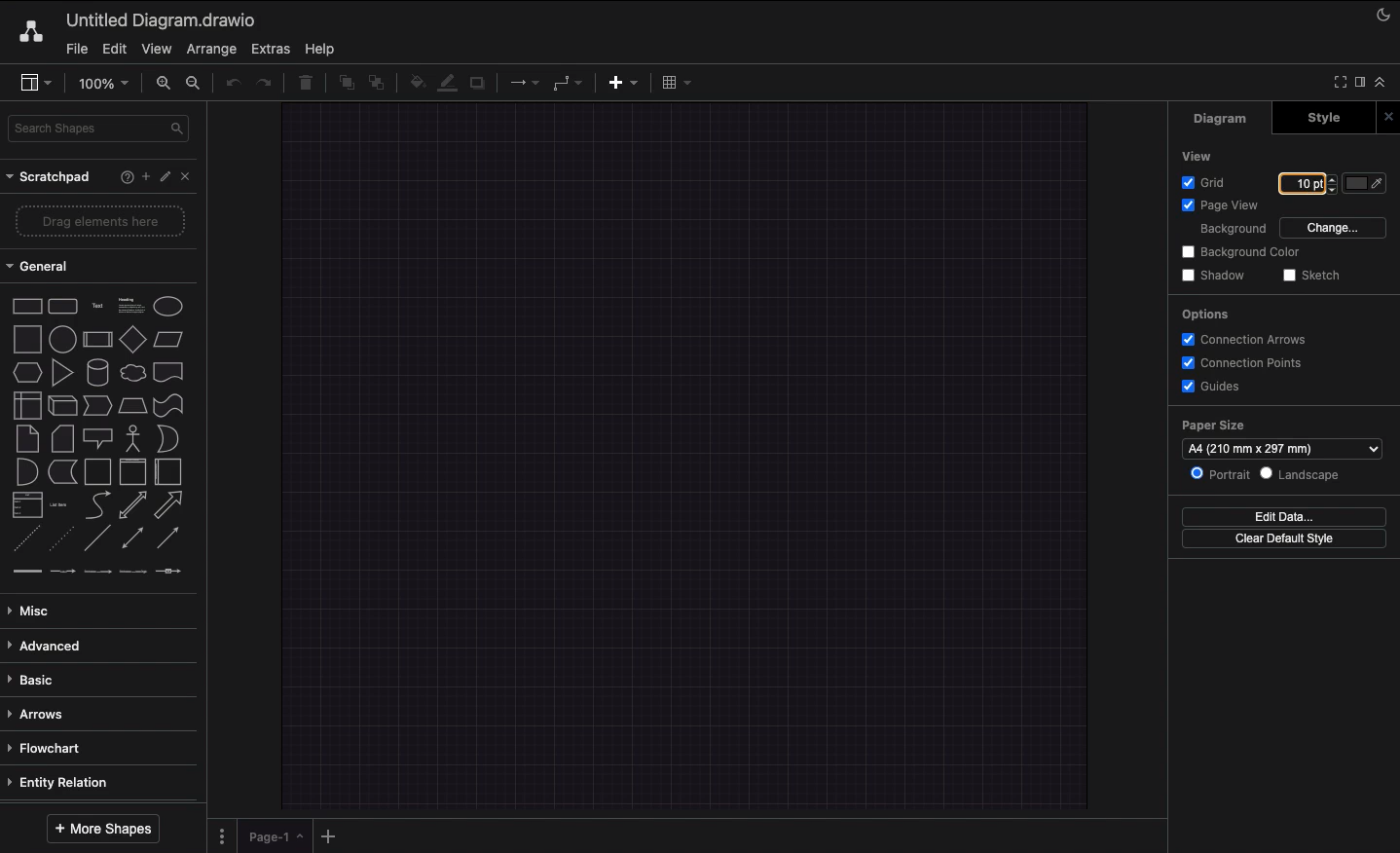 Image resolution: width=1400 pixels, height=853 pixels. Describe the element at coordinates (101, 220) in the screenshot. I see `Drag elements here` at that location.